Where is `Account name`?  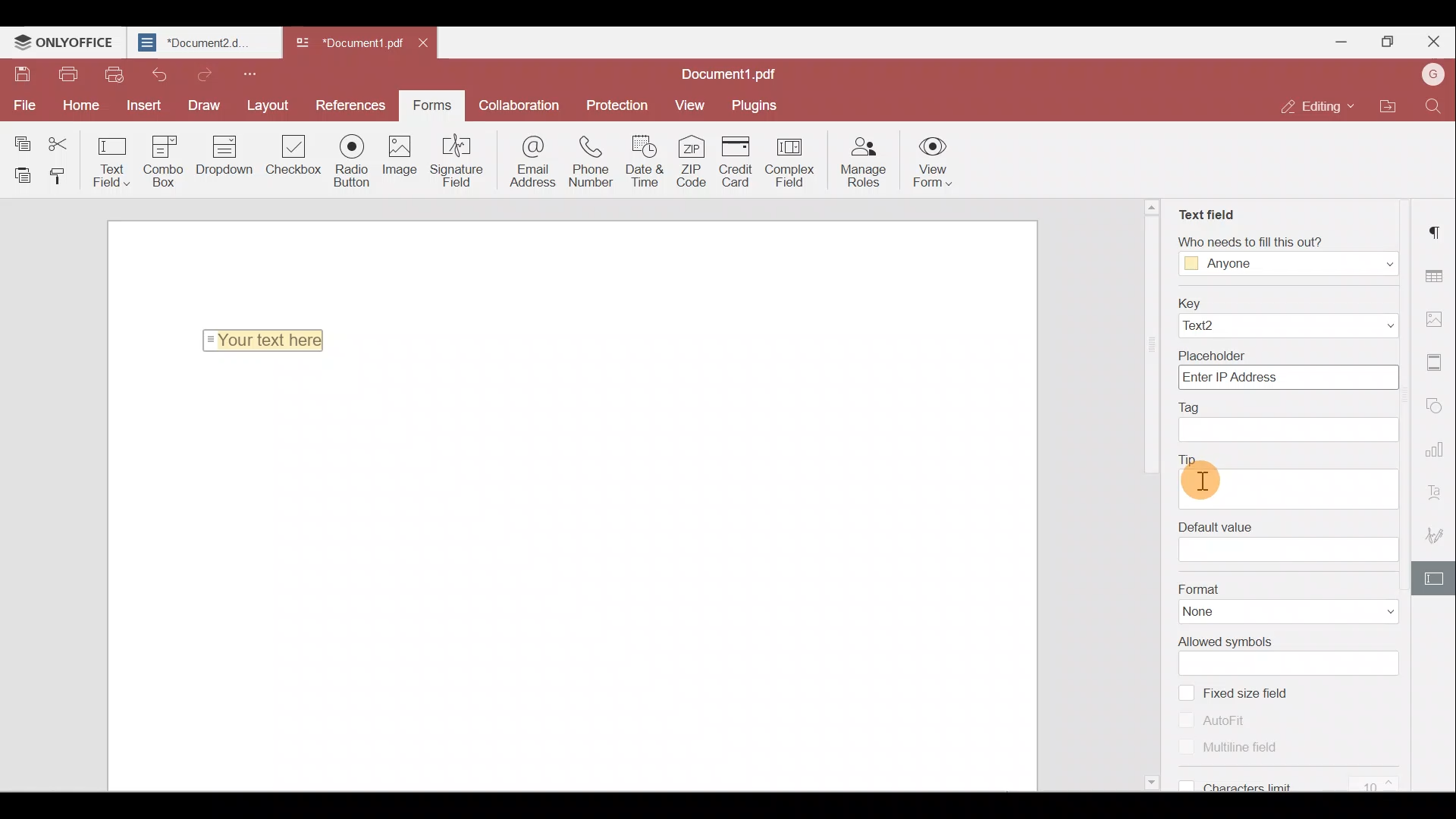 Account name is located at coordinates (1432, 73).